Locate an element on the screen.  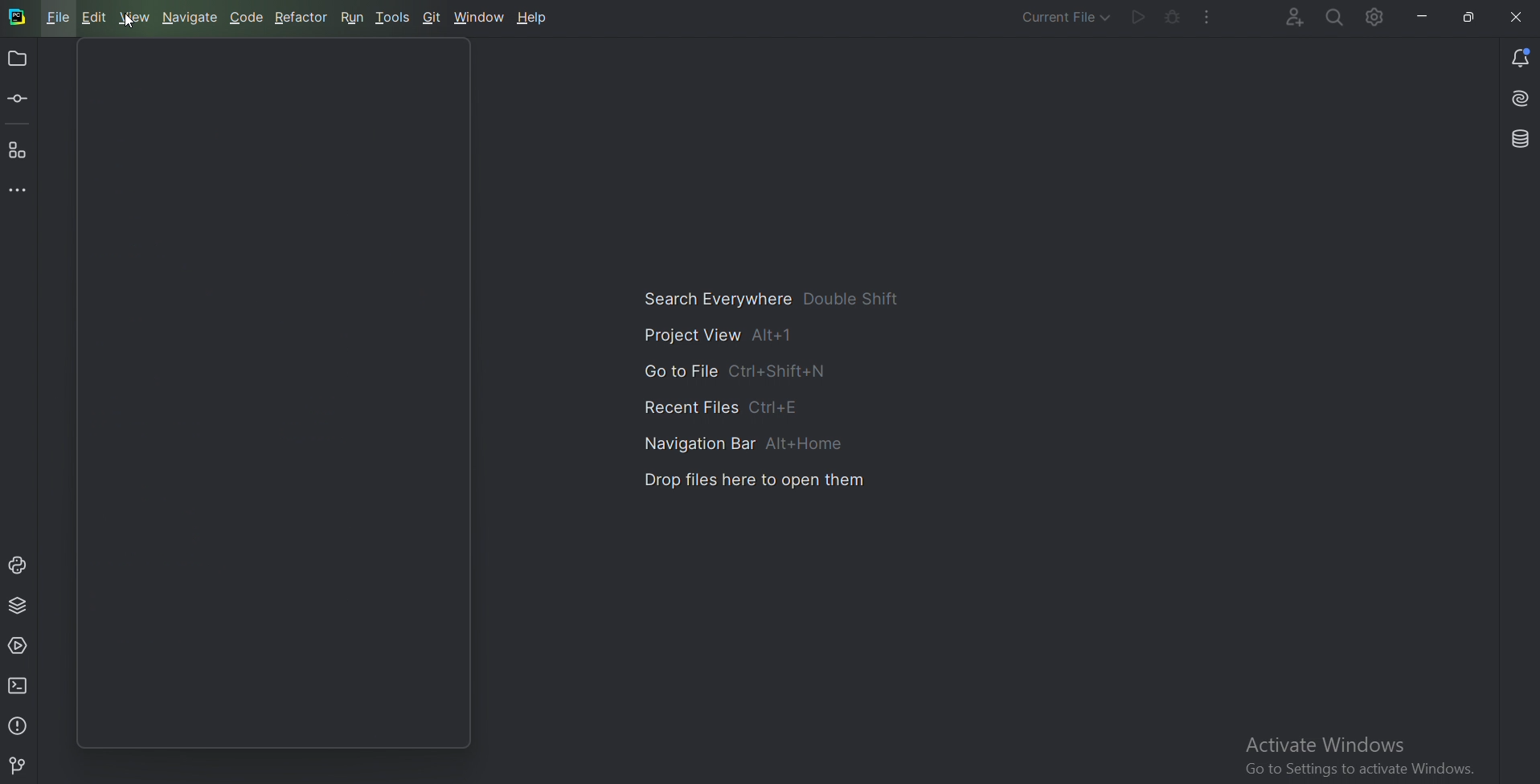
Settings is located at coordinates (1378, 19).